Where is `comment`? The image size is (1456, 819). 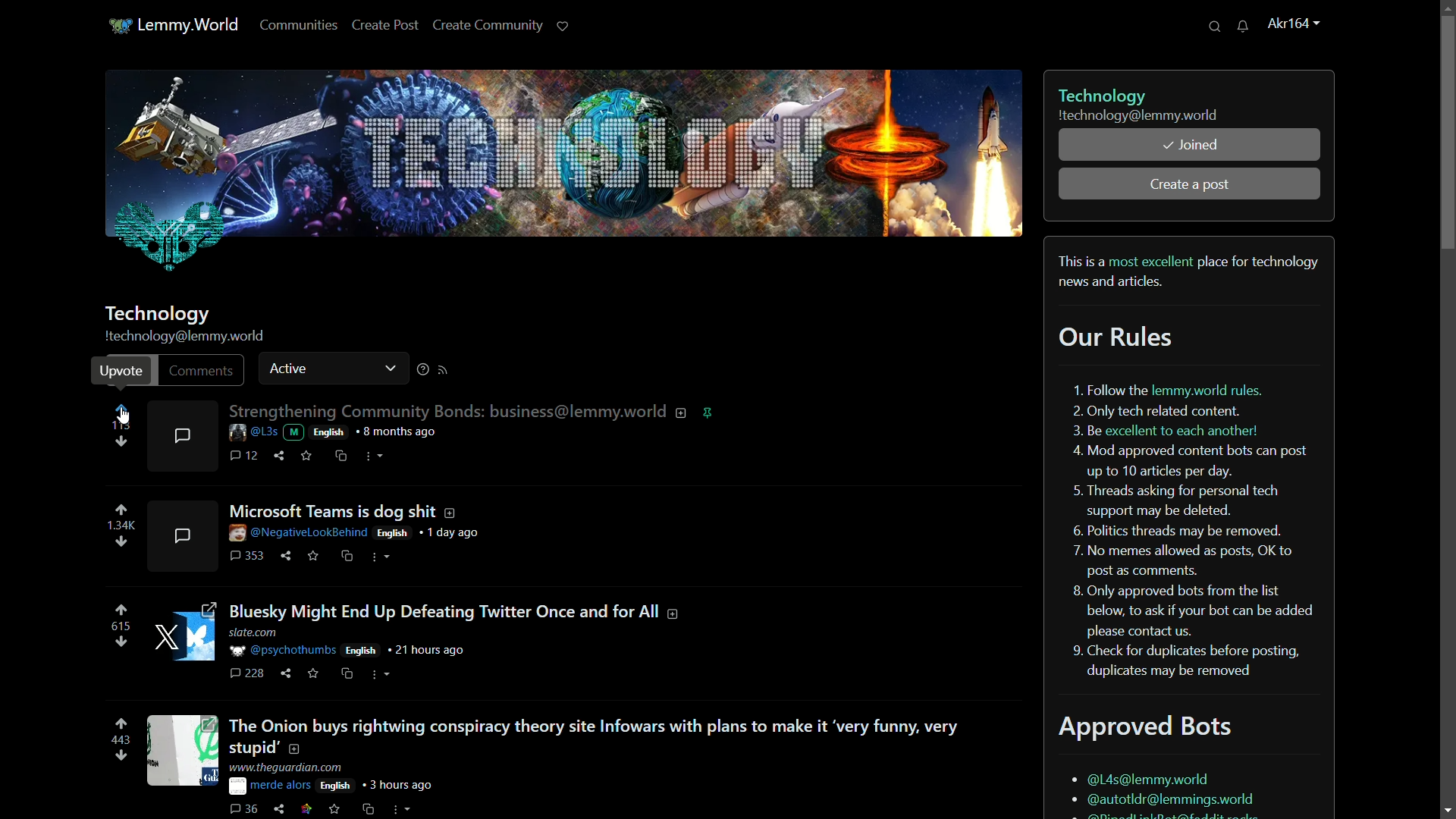 comment is located at coordinates (243, 455).